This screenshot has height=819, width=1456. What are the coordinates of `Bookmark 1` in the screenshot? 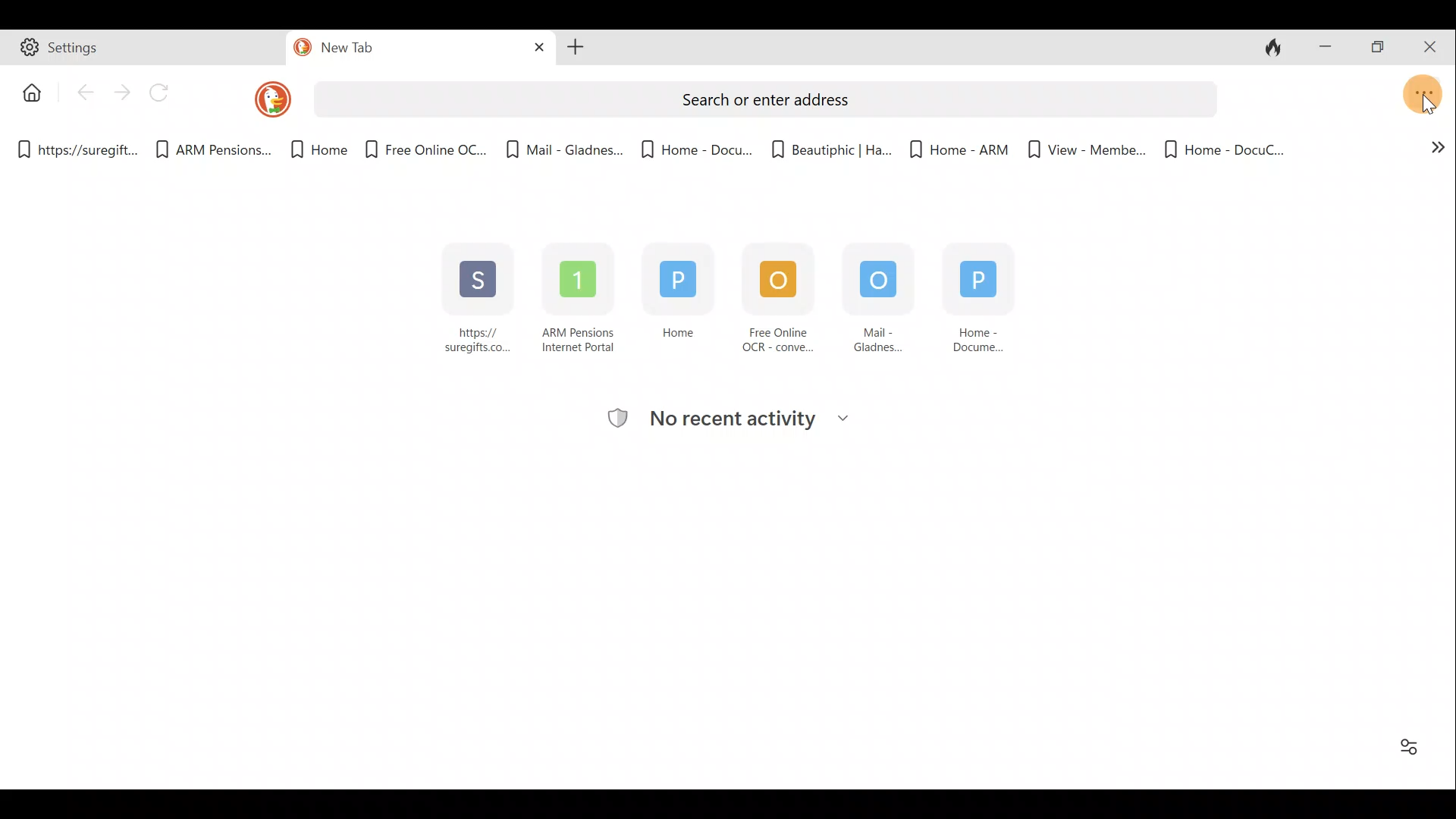 It's located at (74, 147).